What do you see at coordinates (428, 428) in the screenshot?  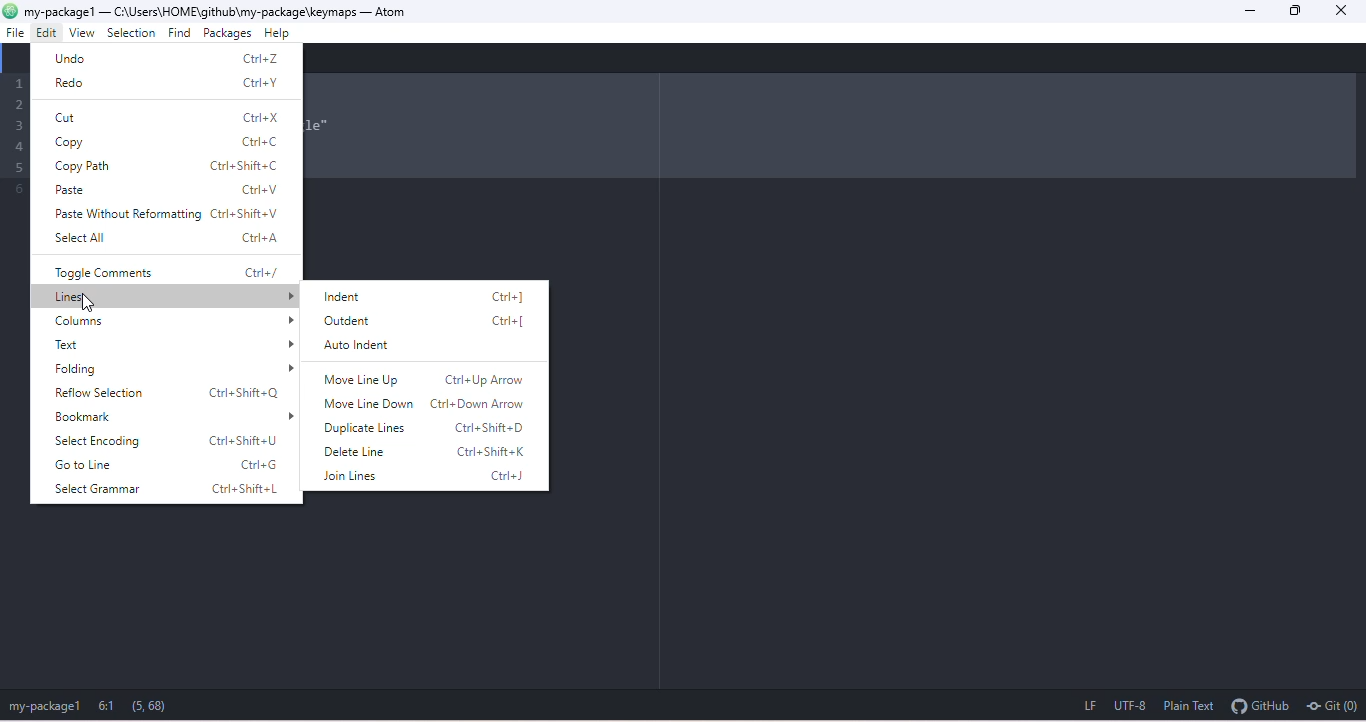 I see `duplicate lines` at bounding box center [428, 428].